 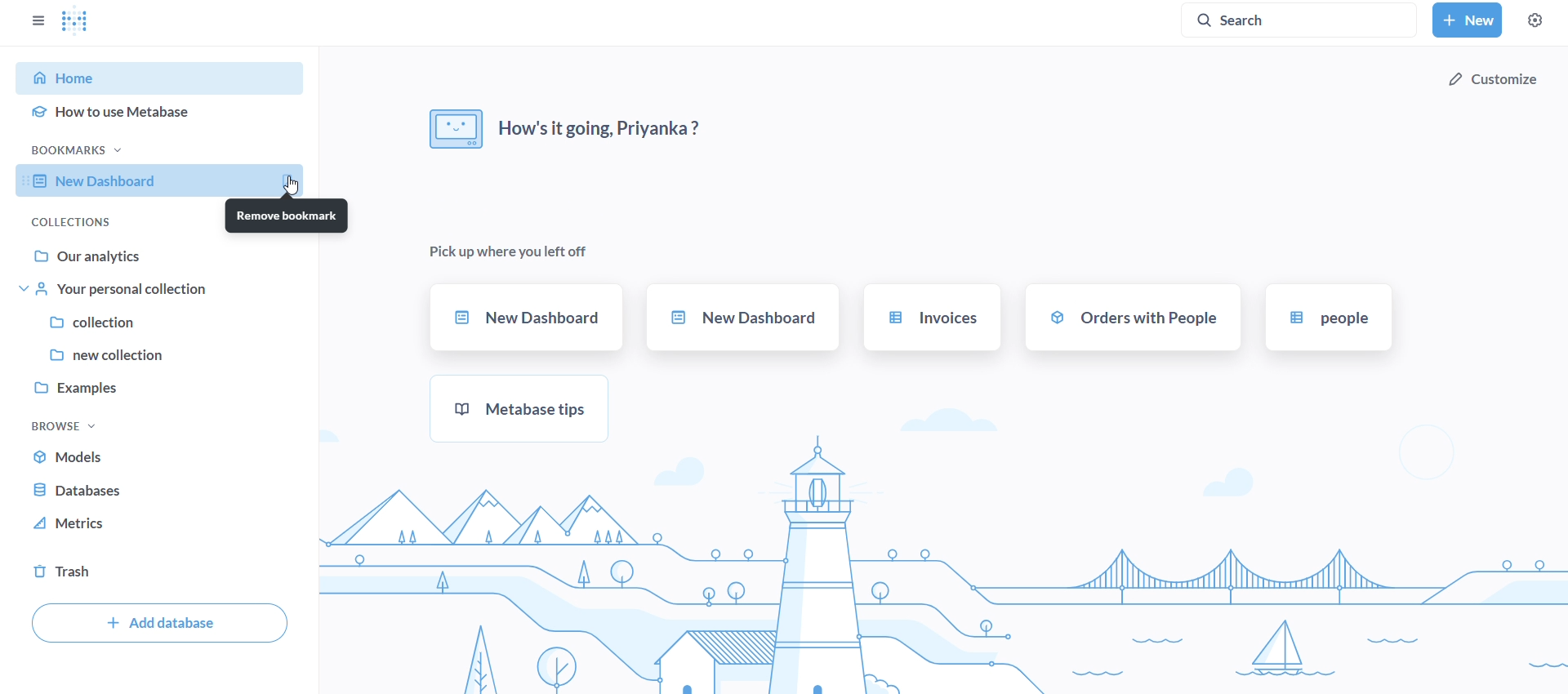 What do you see at coordinates (163, 323) in the screenshot?
I see `collection` at bounding box center [163, 323].